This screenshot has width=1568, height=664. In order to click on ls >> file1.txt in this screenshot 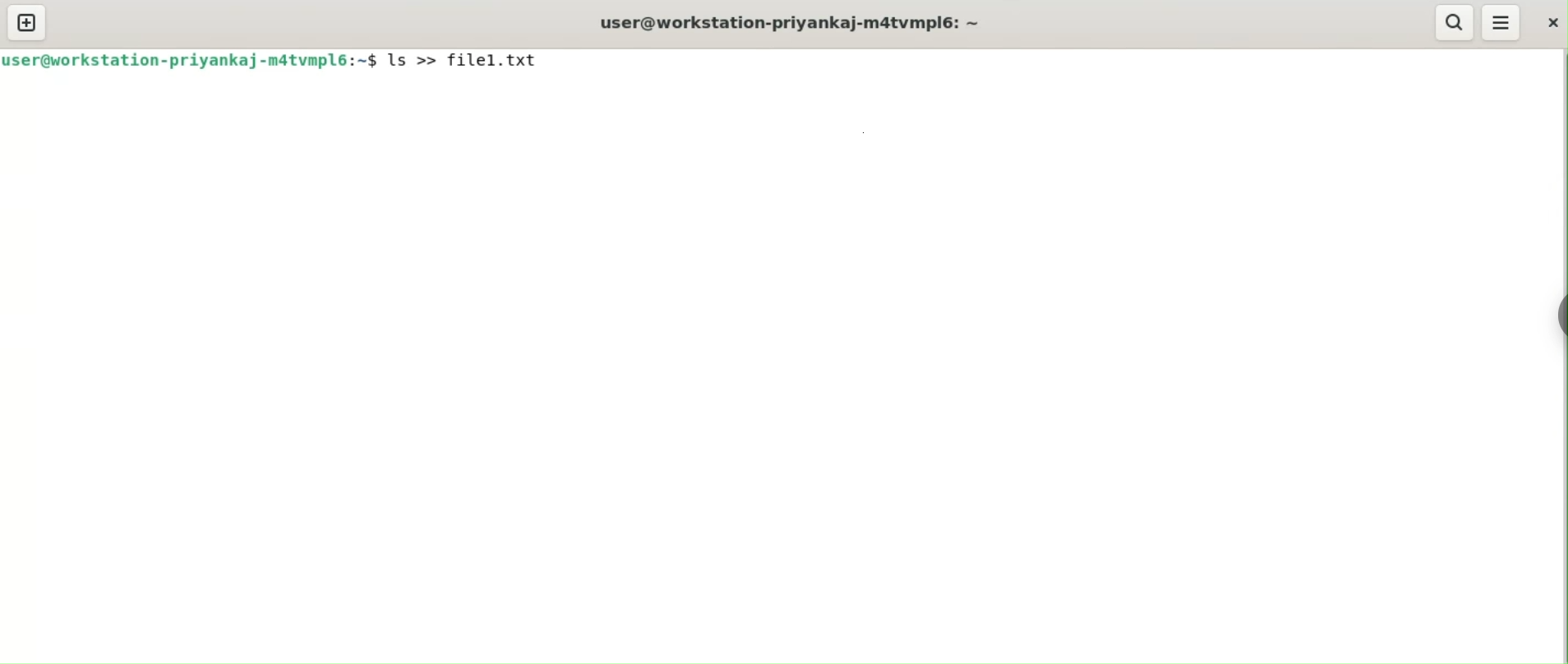, I will do `click(470, 61)`.